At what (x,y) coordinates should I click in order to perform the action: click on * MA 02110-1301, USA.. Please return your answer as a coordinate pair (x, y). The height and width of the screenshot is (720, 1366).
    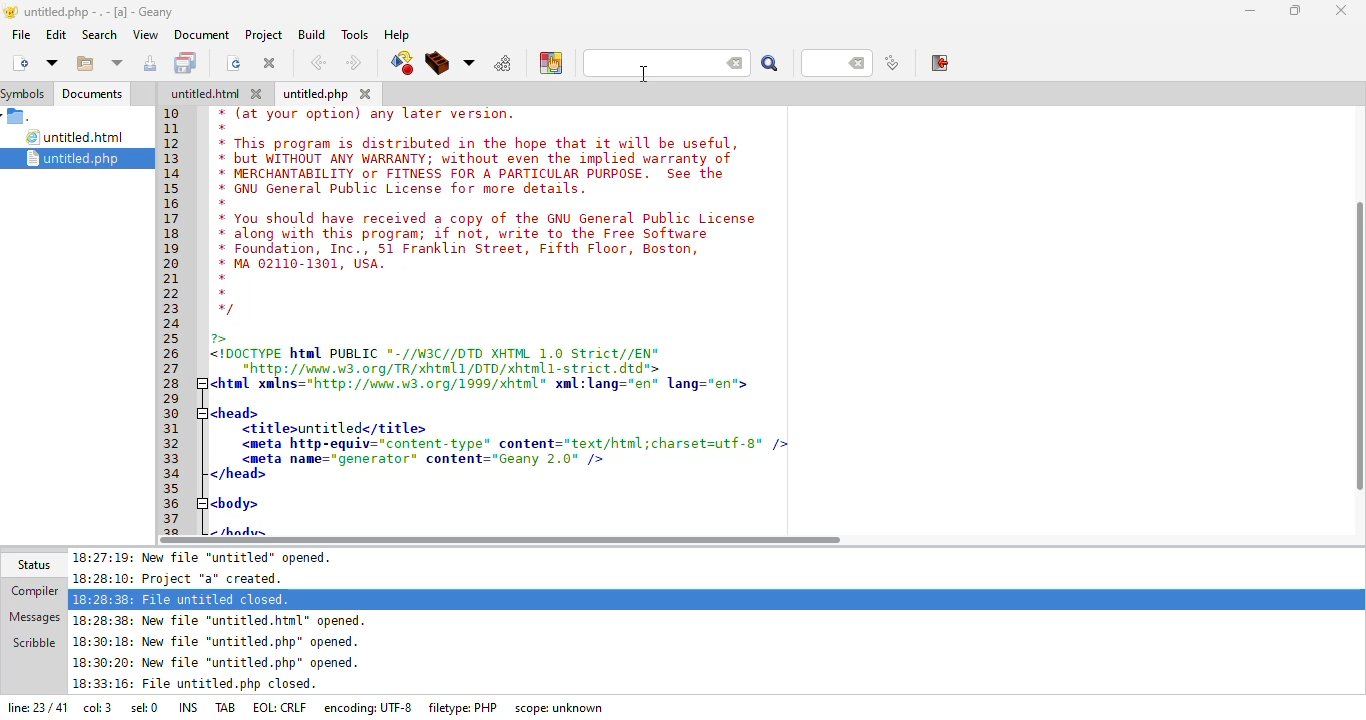
    Looking at the image, I should click on (300, 264).